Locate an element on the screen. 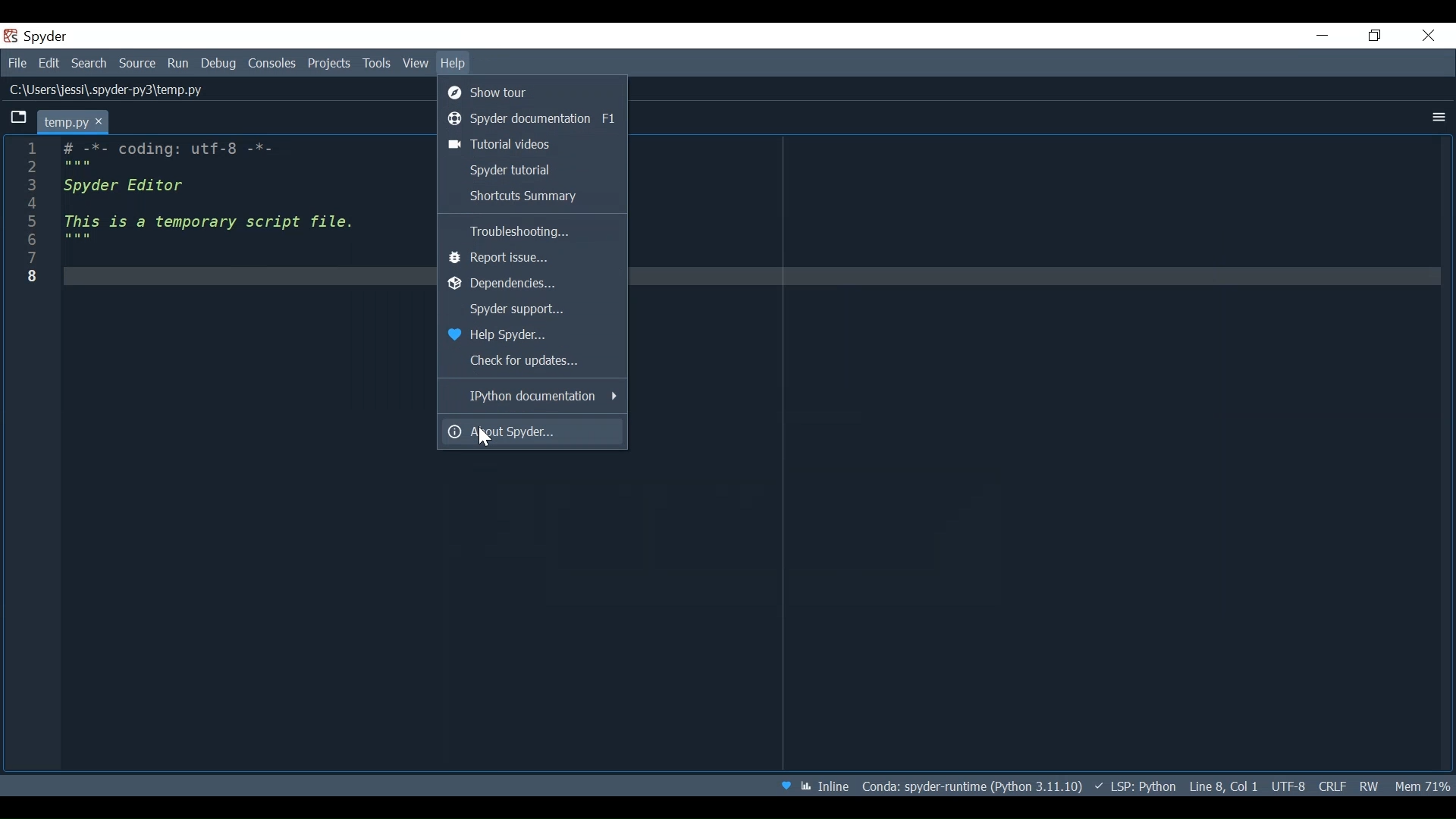  File is located at coordinates (17, 64).